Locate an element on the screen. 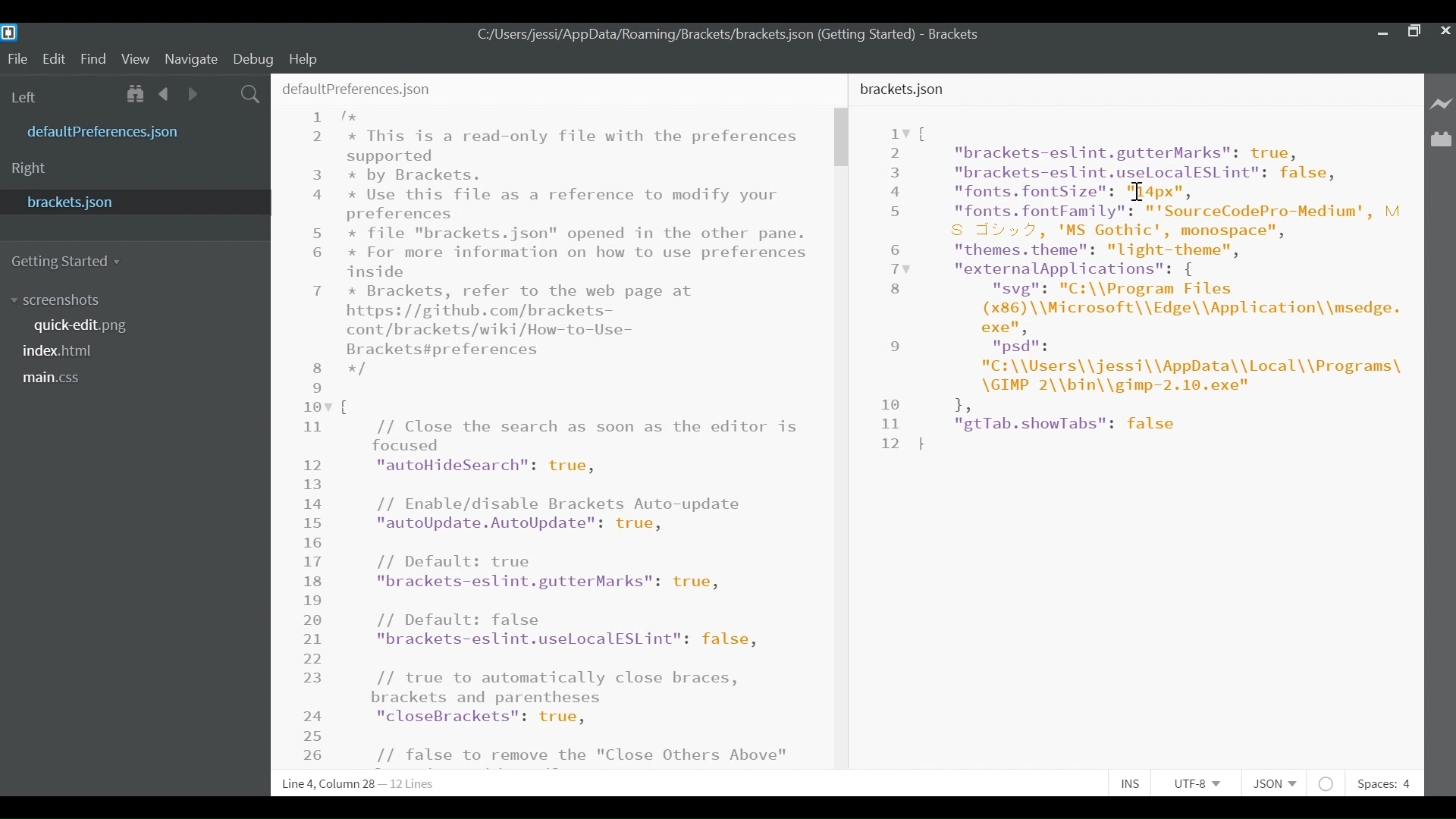  index.html file is located at coordinates (64, 353).